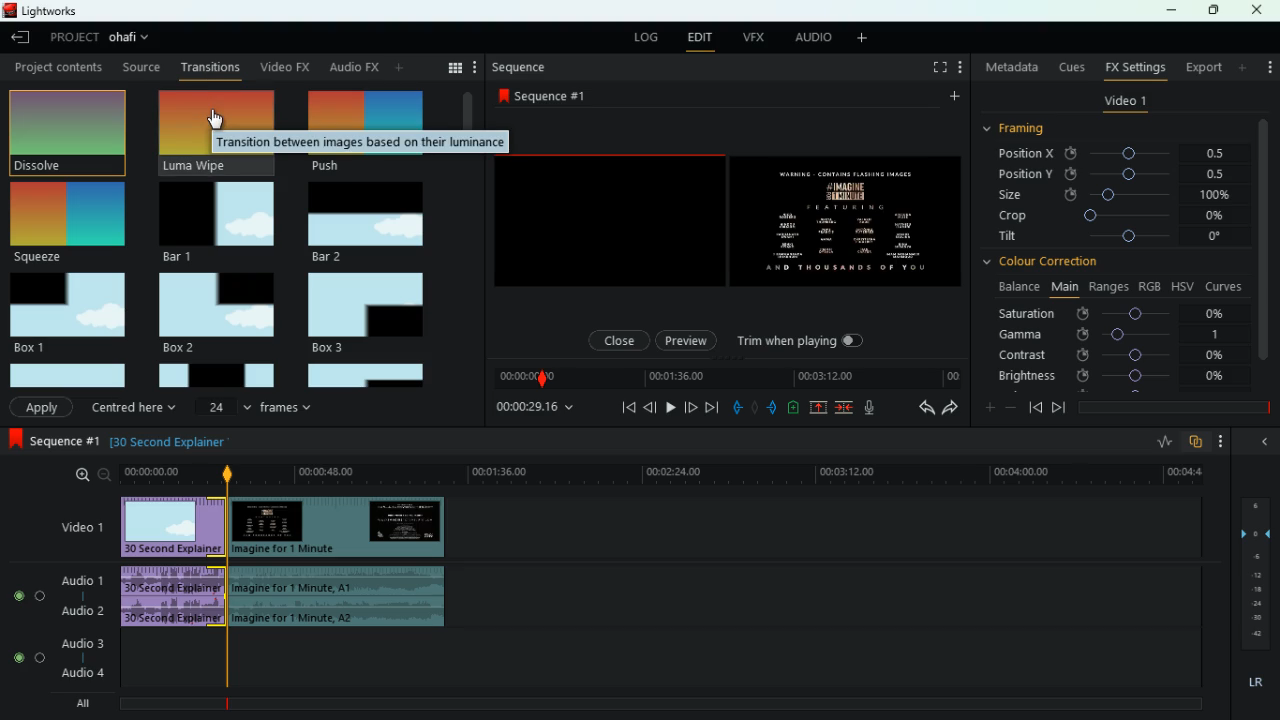 The width and height of the screenshot is (1280, 720). I want to click on plus, so click(987, 409).